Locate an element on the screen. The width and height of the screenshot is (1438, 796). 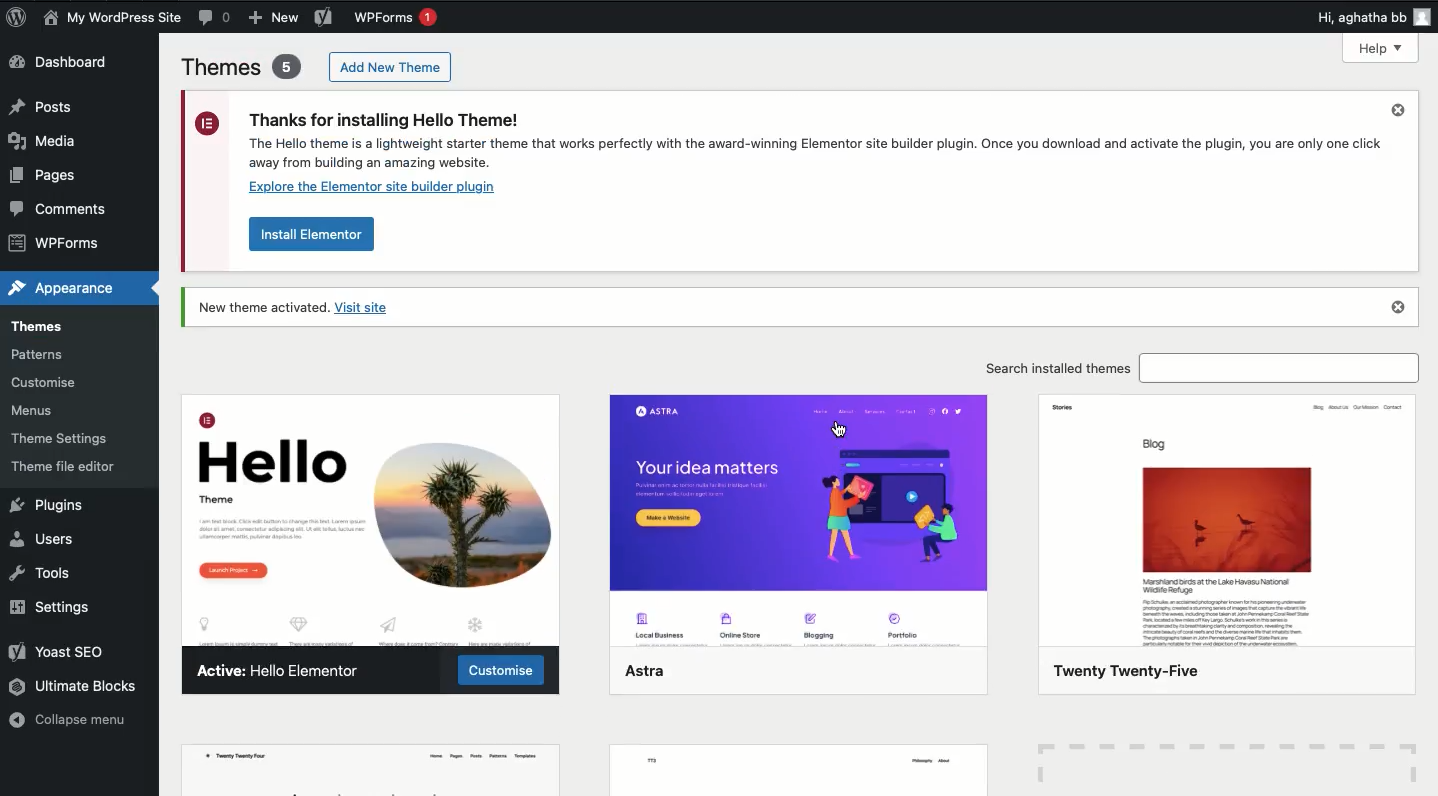
Appearance is located at coordinates (60, 287).